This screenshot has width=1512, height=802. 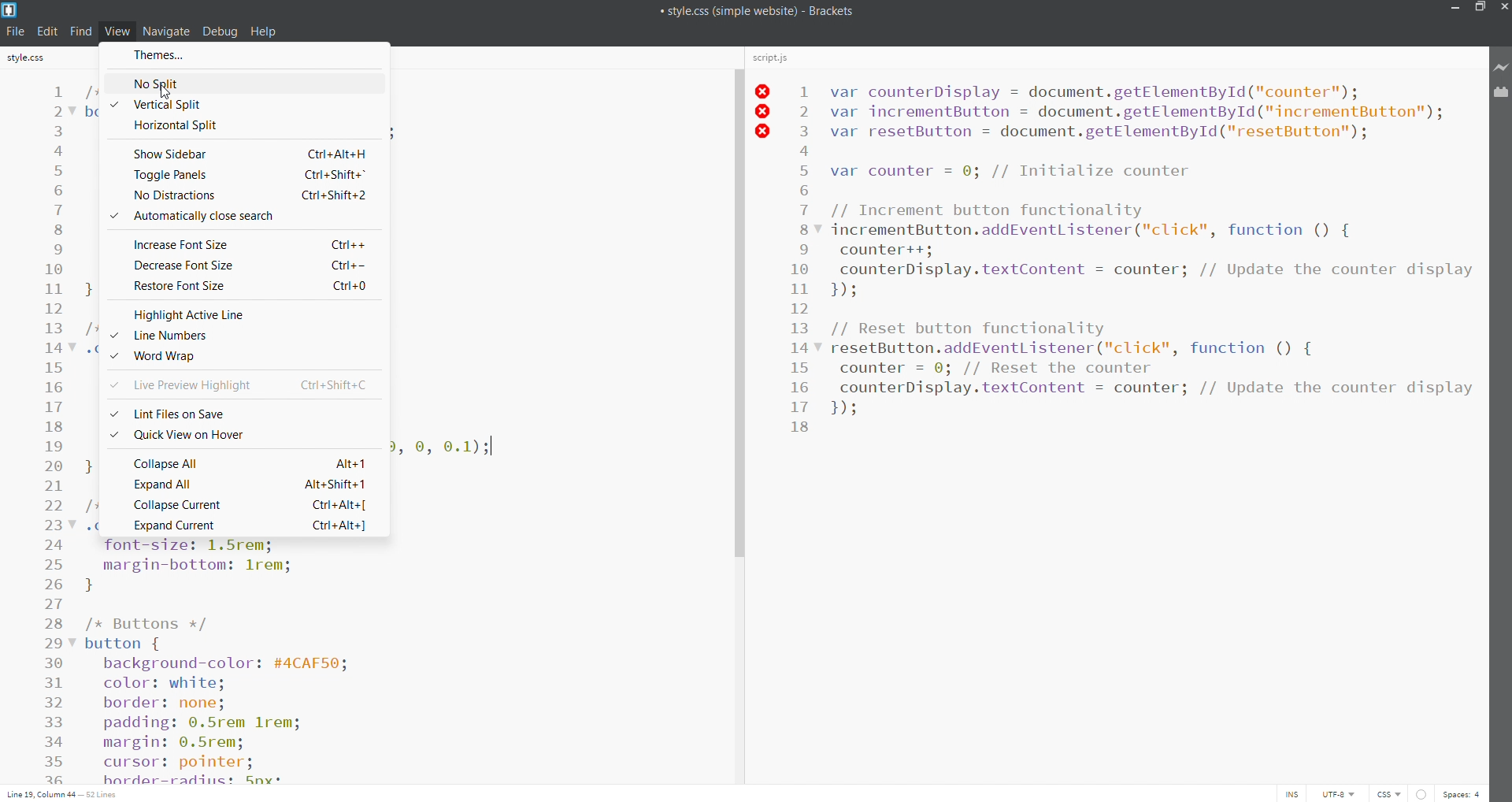 What do you see at coordinates (243, 242) in the screenshot?
I see `increase font size` at bounding box center [243, 242].